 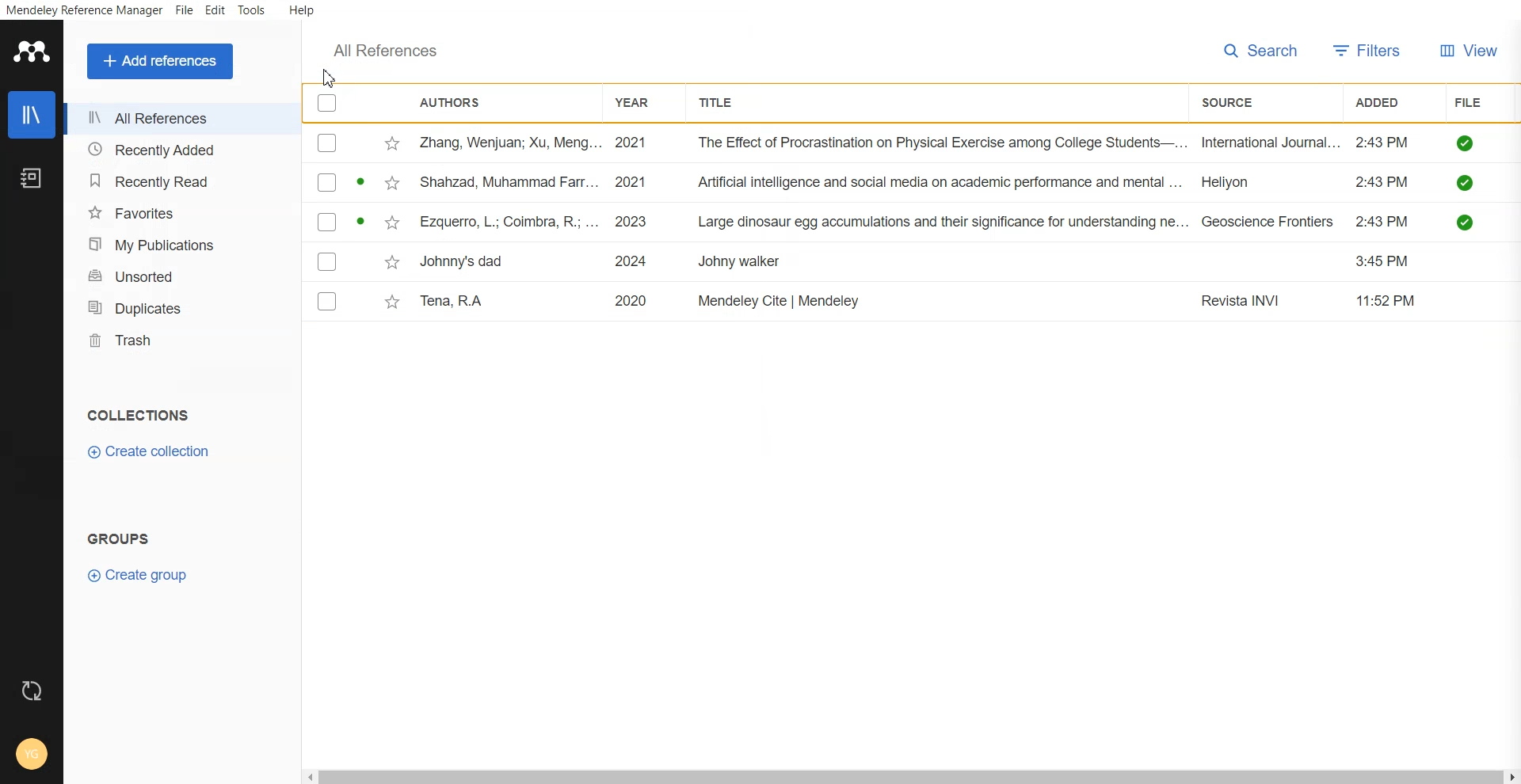 What do you see at coordinates (1271, 143) in the screenshot?
I see `International Journal...` at bounding box center [1271, 143].